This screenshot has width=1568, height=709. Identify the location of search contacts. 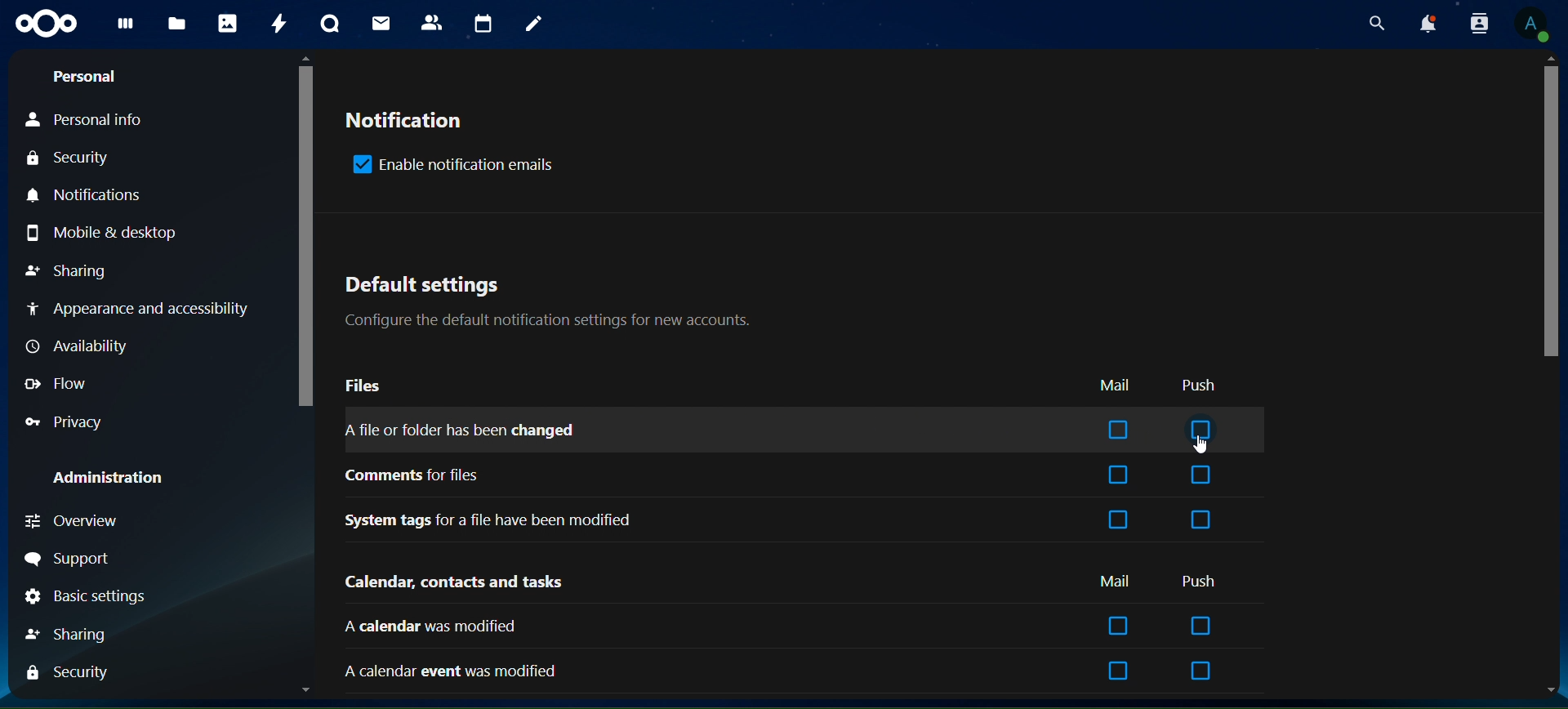
(1479, 25).